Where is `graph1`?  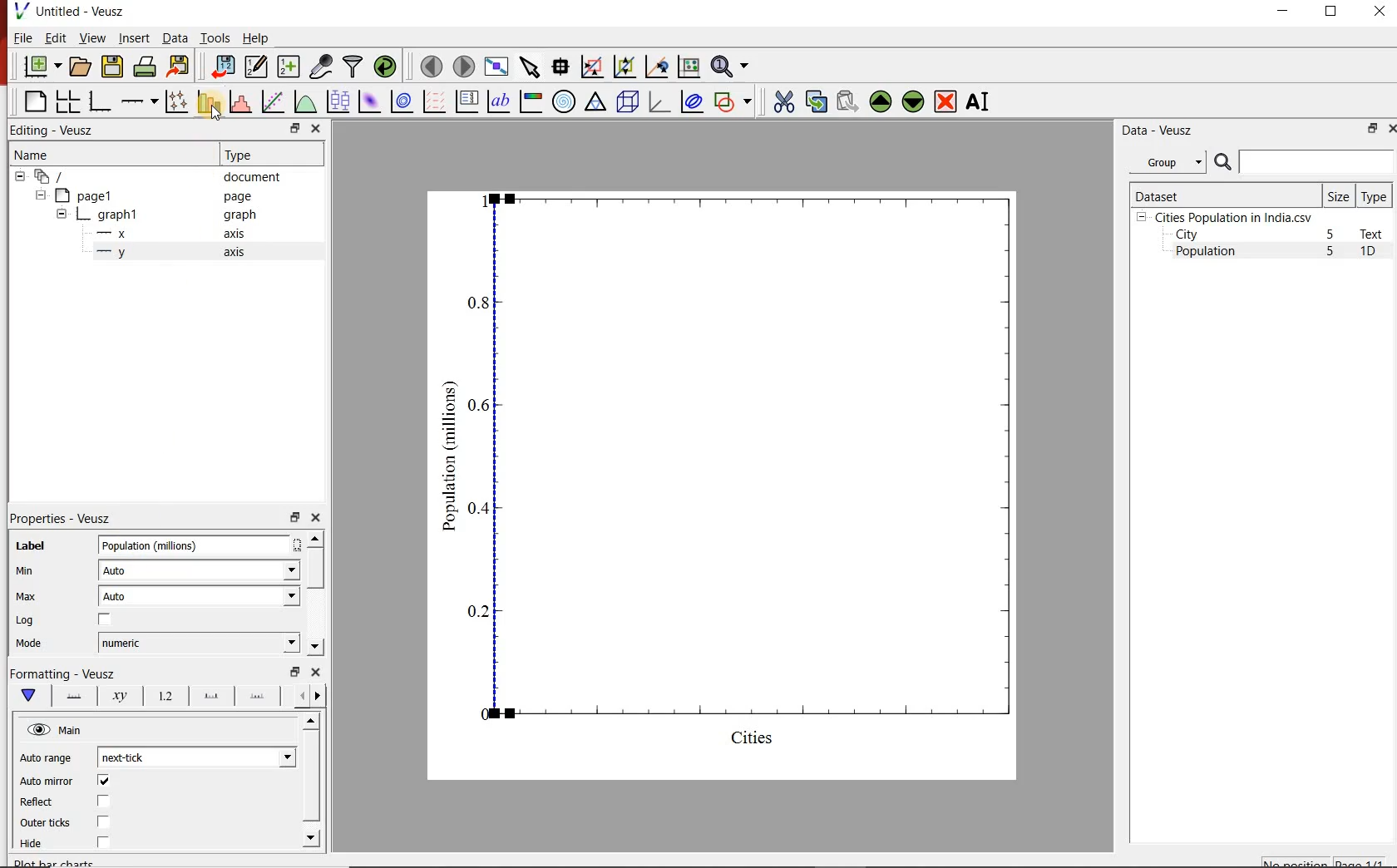
graph1 is located at coordinates (743, 481).